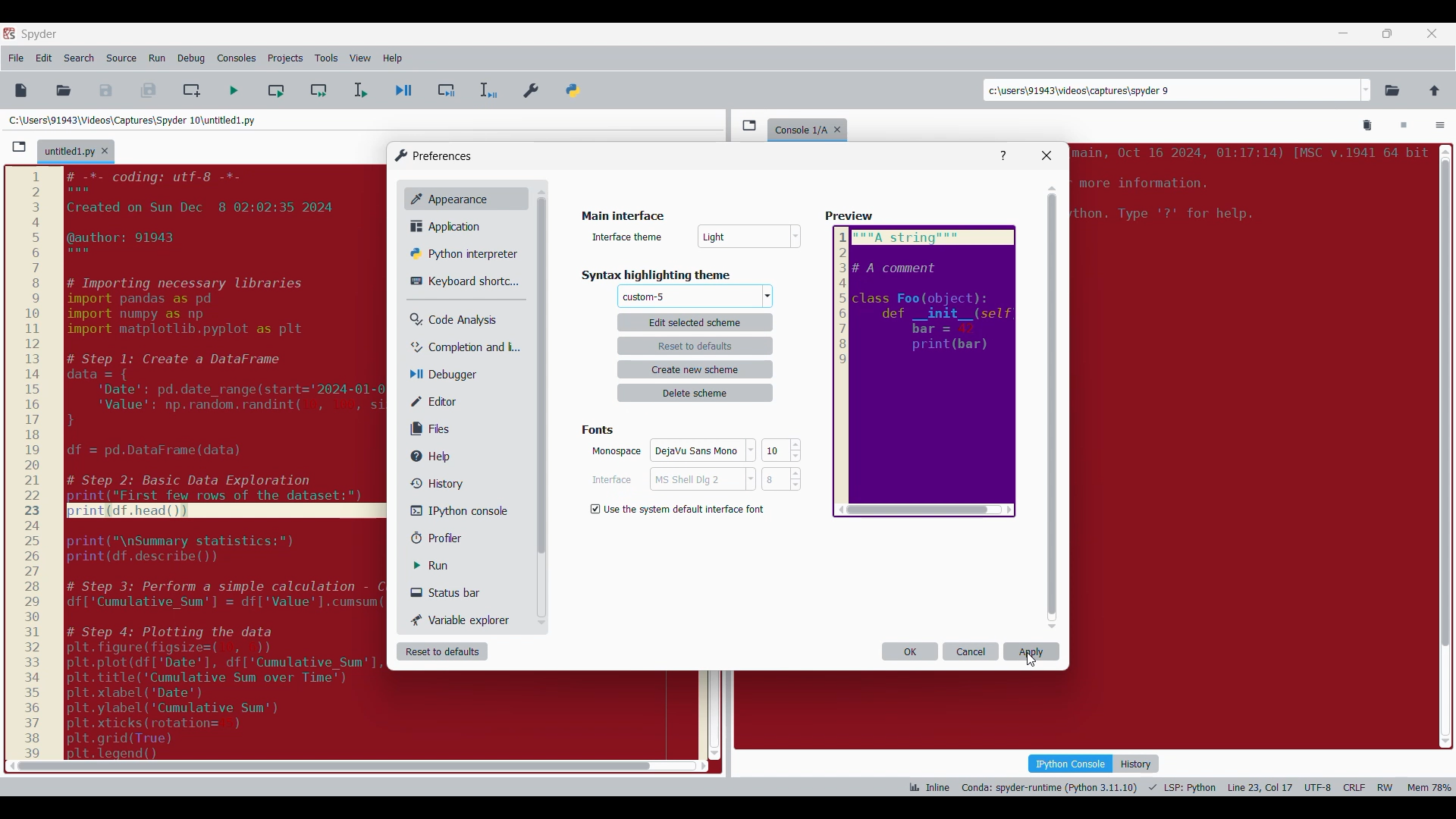  Describe the element at coordinates (20, 90) in the screenshot. I see `New file` at that location.